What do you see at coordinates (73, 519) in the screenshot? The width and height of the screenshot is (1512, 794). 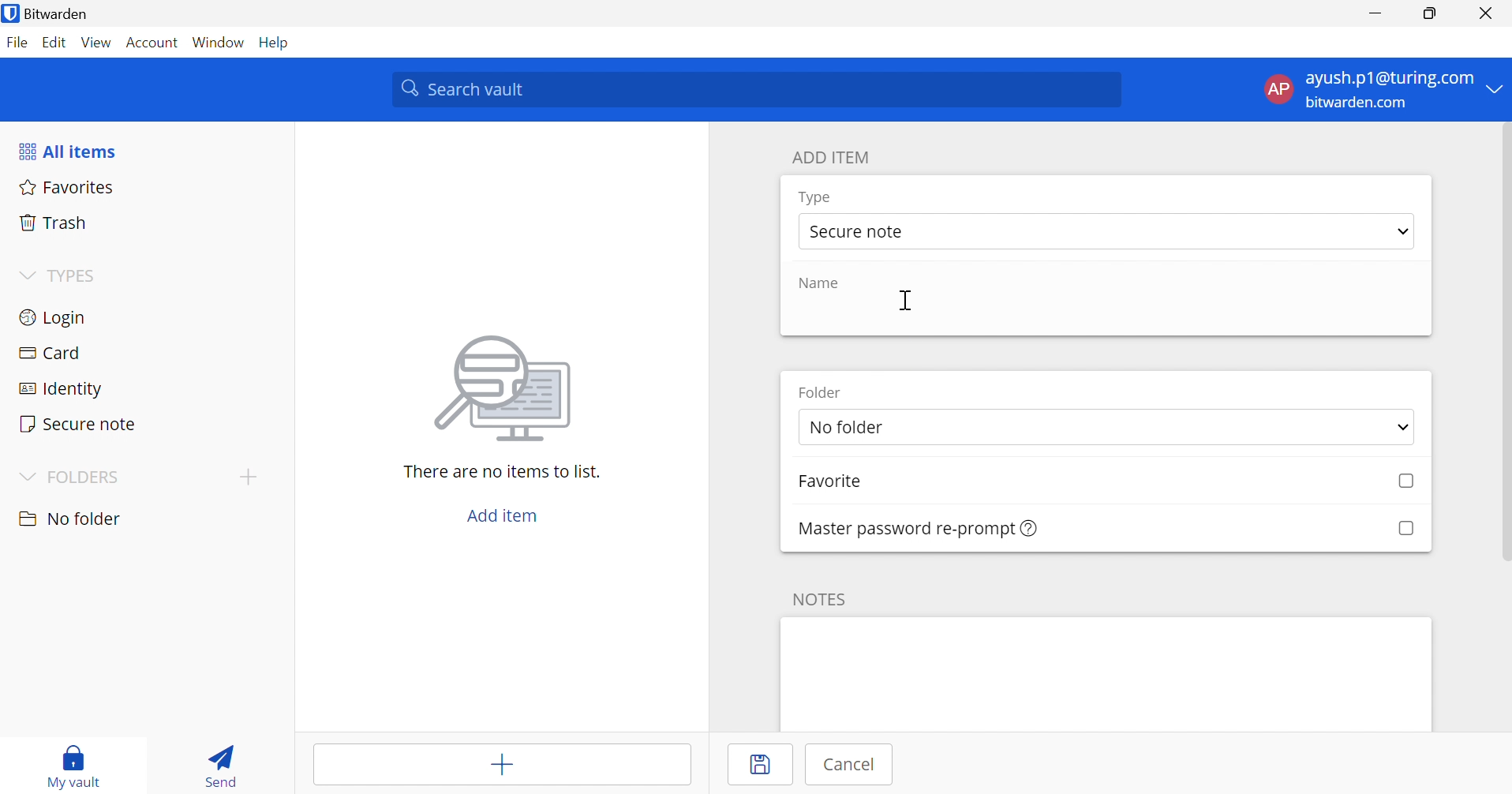 I see `No folder` at bounding box center [73, 519].